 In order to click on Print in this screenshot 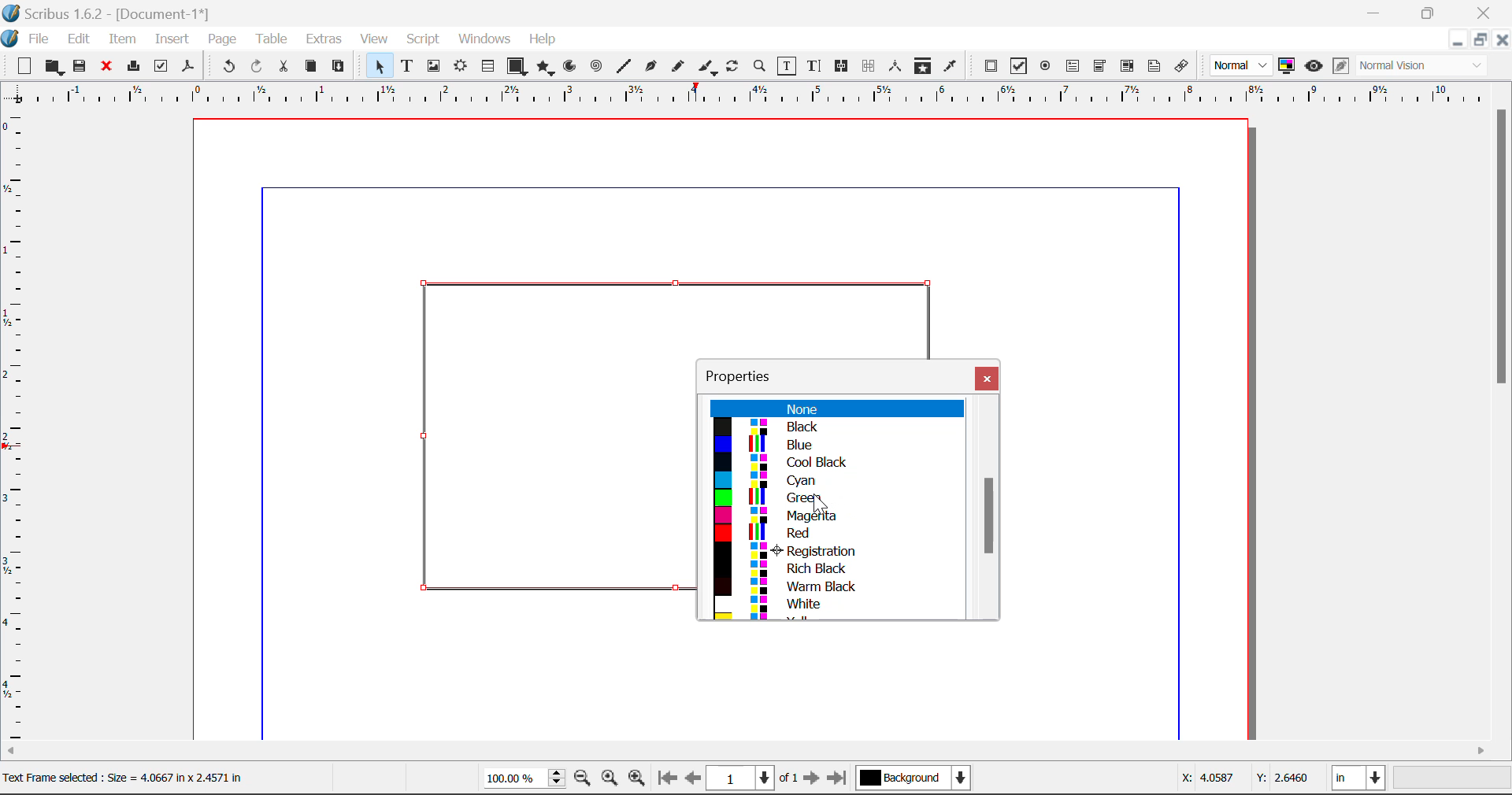, I will do `click(132, 67)`.